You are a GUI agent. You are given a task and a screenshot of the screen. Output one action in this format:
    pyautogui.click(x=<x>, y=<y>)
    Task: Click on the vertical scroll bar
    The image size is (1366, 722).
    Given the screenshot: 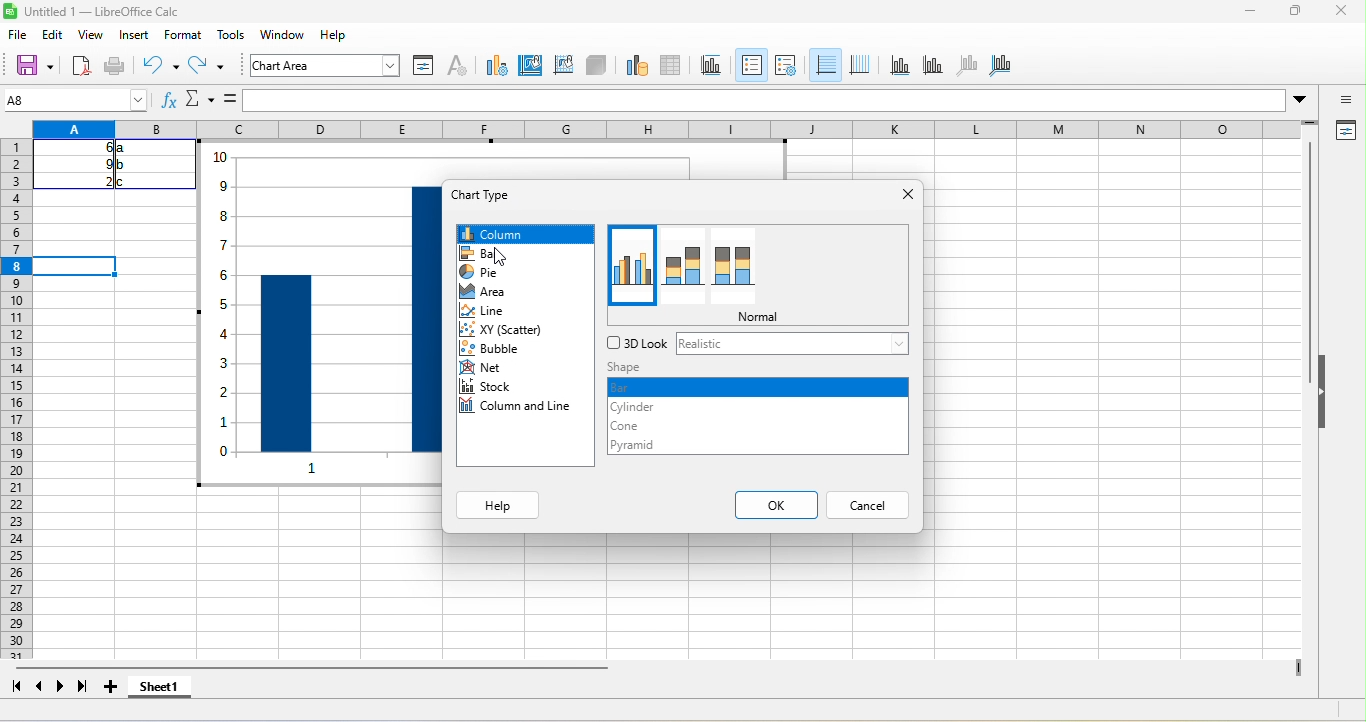 What is the action you would take?
    pyautogui.click(x=1307, y=294)
    